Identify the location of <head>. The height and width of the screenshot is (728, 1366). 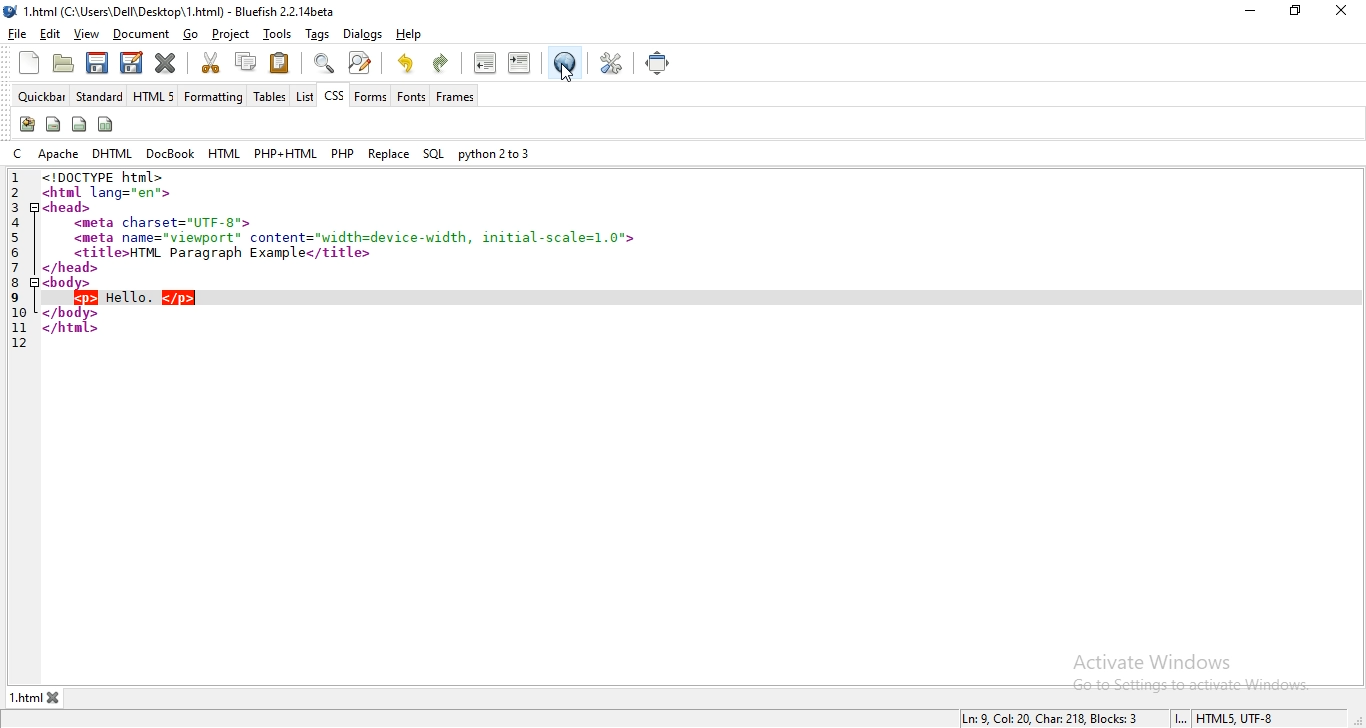
(69, 207).